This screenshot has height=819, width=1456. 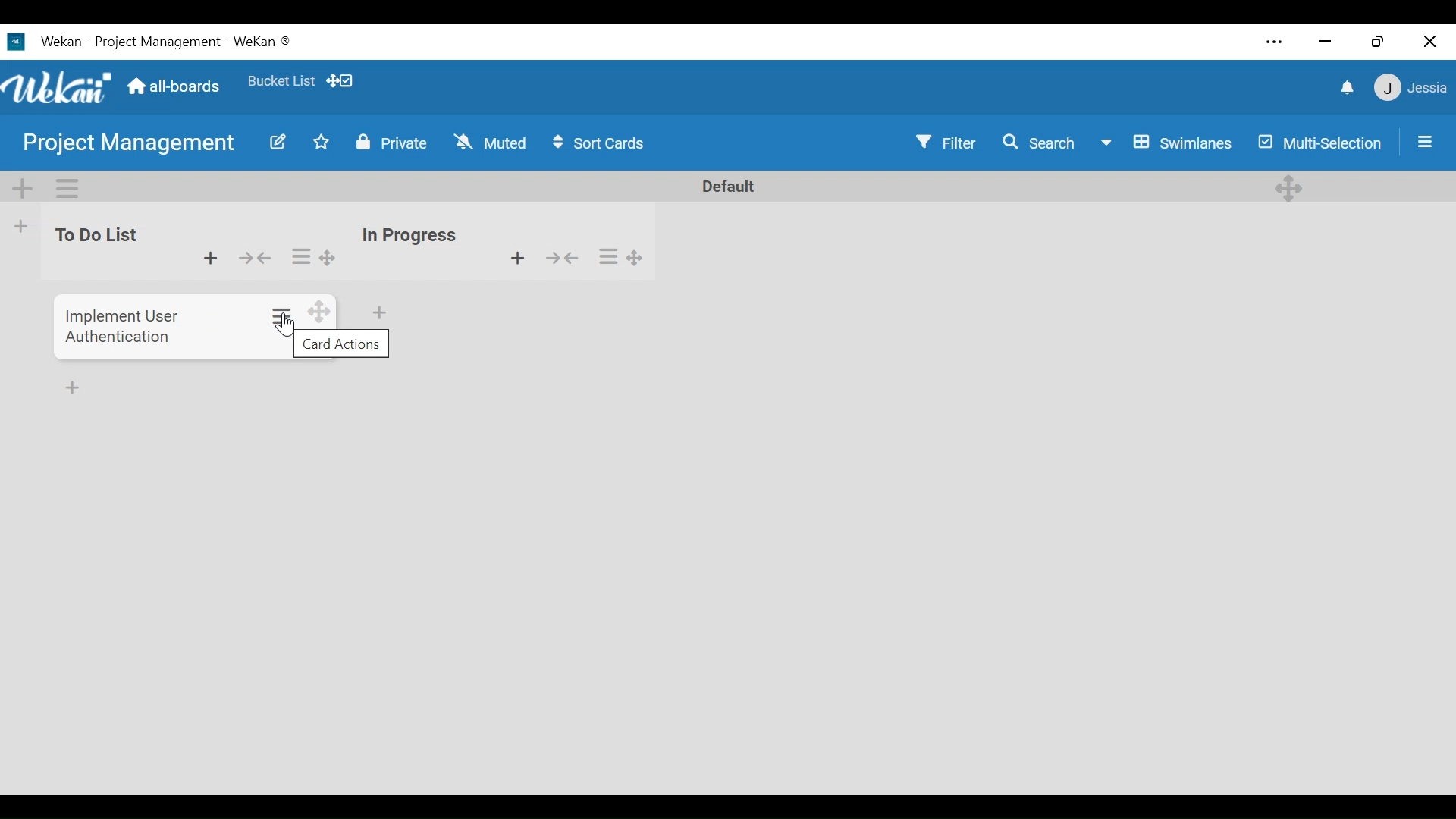 I want to click on edit, so click(x=276, y=145).